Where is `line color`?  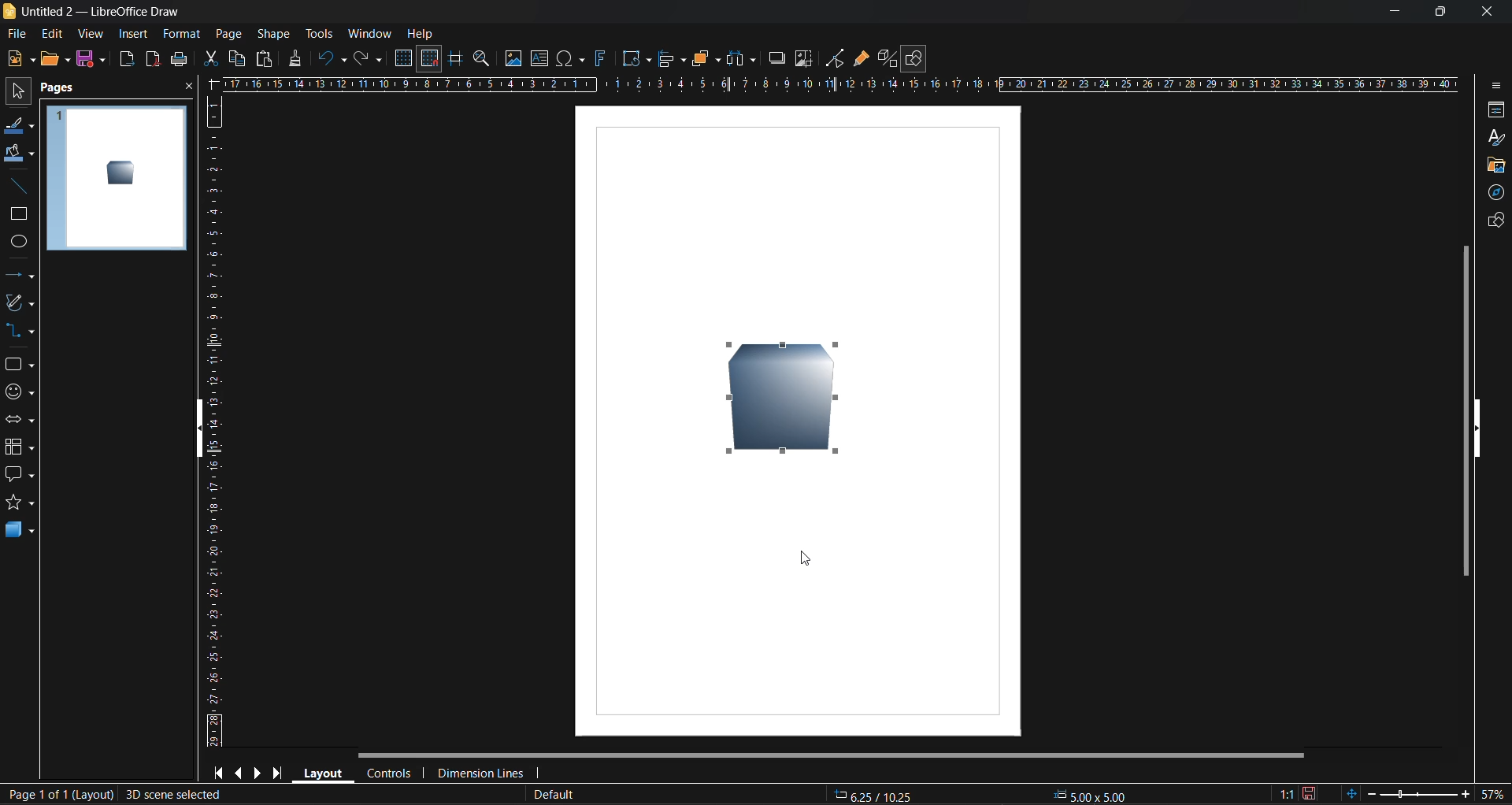
line color is located at coordinates (17, 127).